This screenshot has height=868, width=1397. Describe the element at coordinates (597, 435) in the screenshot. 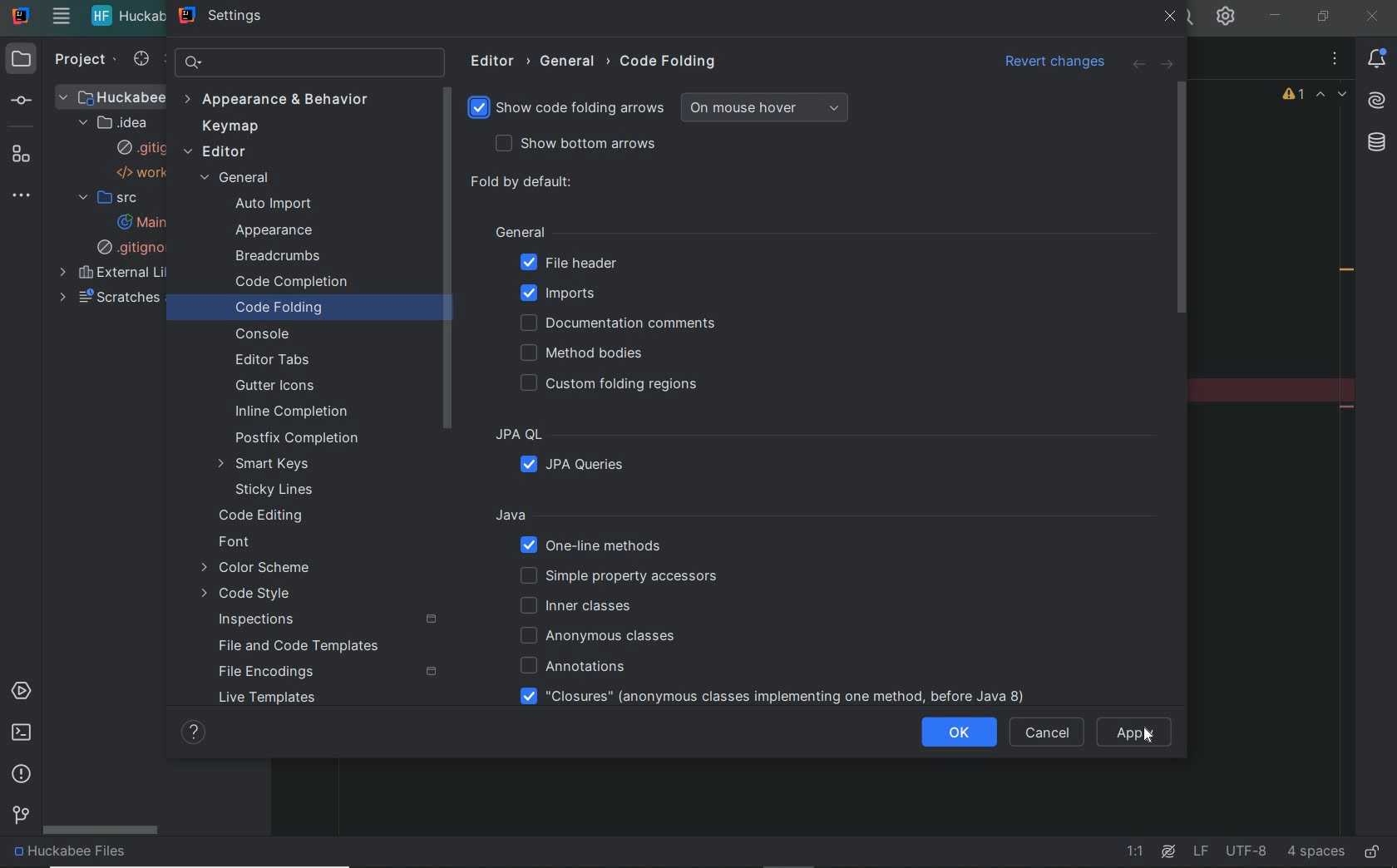

I see `JPA QL` at that location.